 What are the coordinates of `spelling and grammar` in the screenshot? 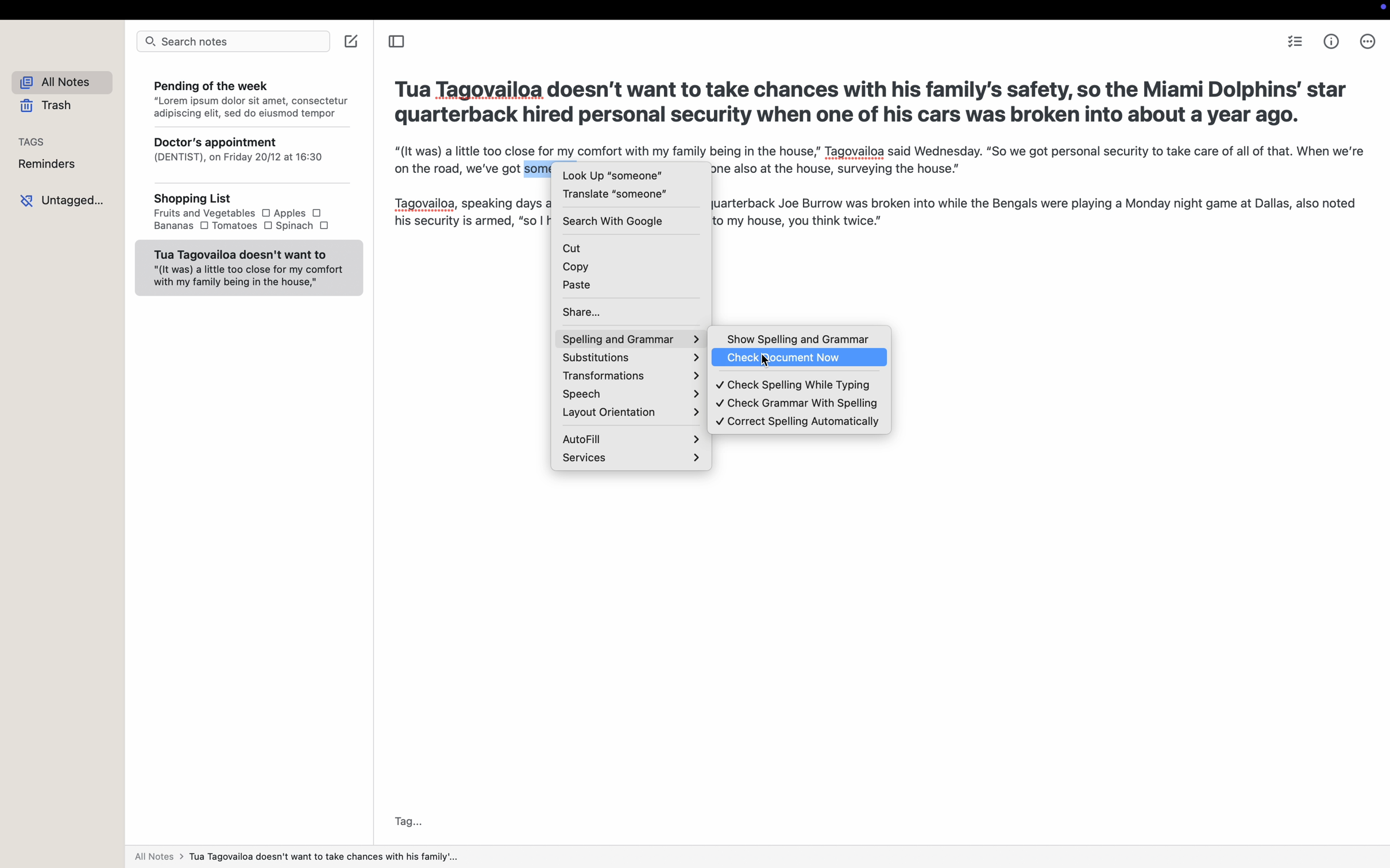 It's located at (631, 339).